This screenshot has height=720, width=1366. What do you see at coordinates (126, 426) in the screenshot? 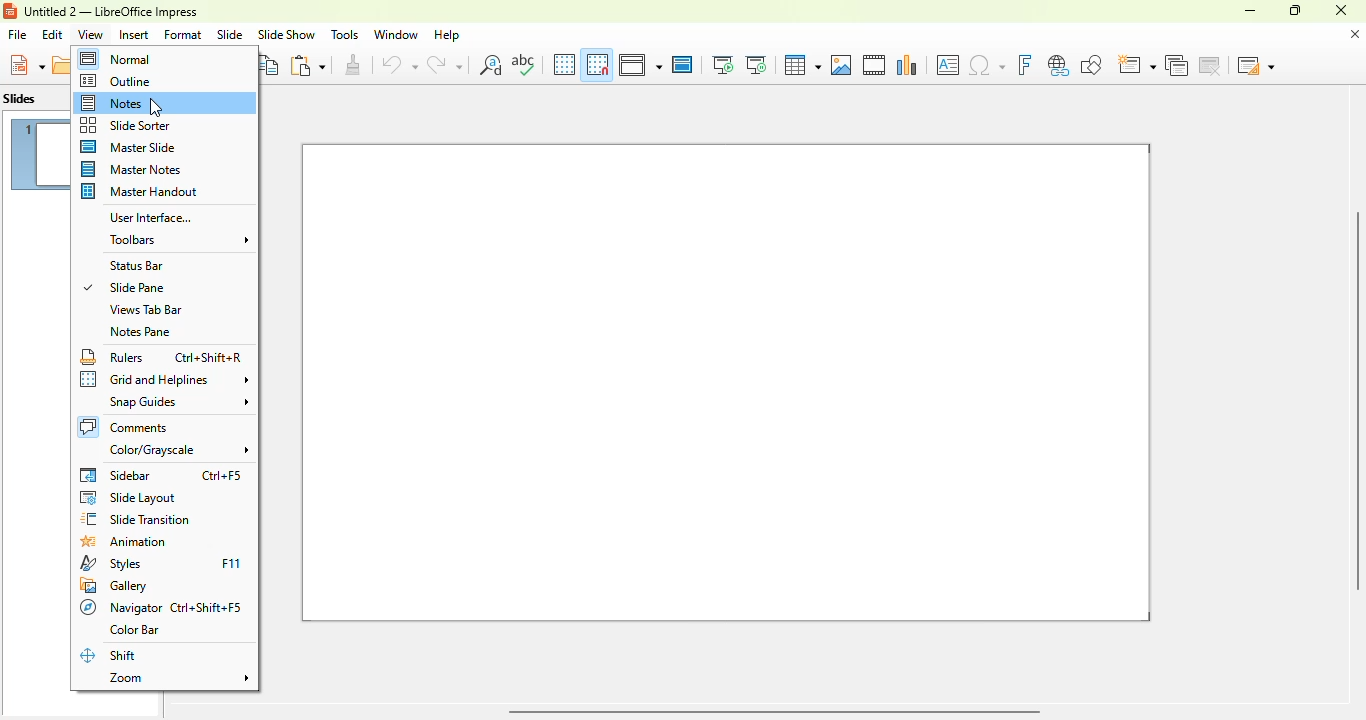
I see `comments` at bounding box center [126, 426].